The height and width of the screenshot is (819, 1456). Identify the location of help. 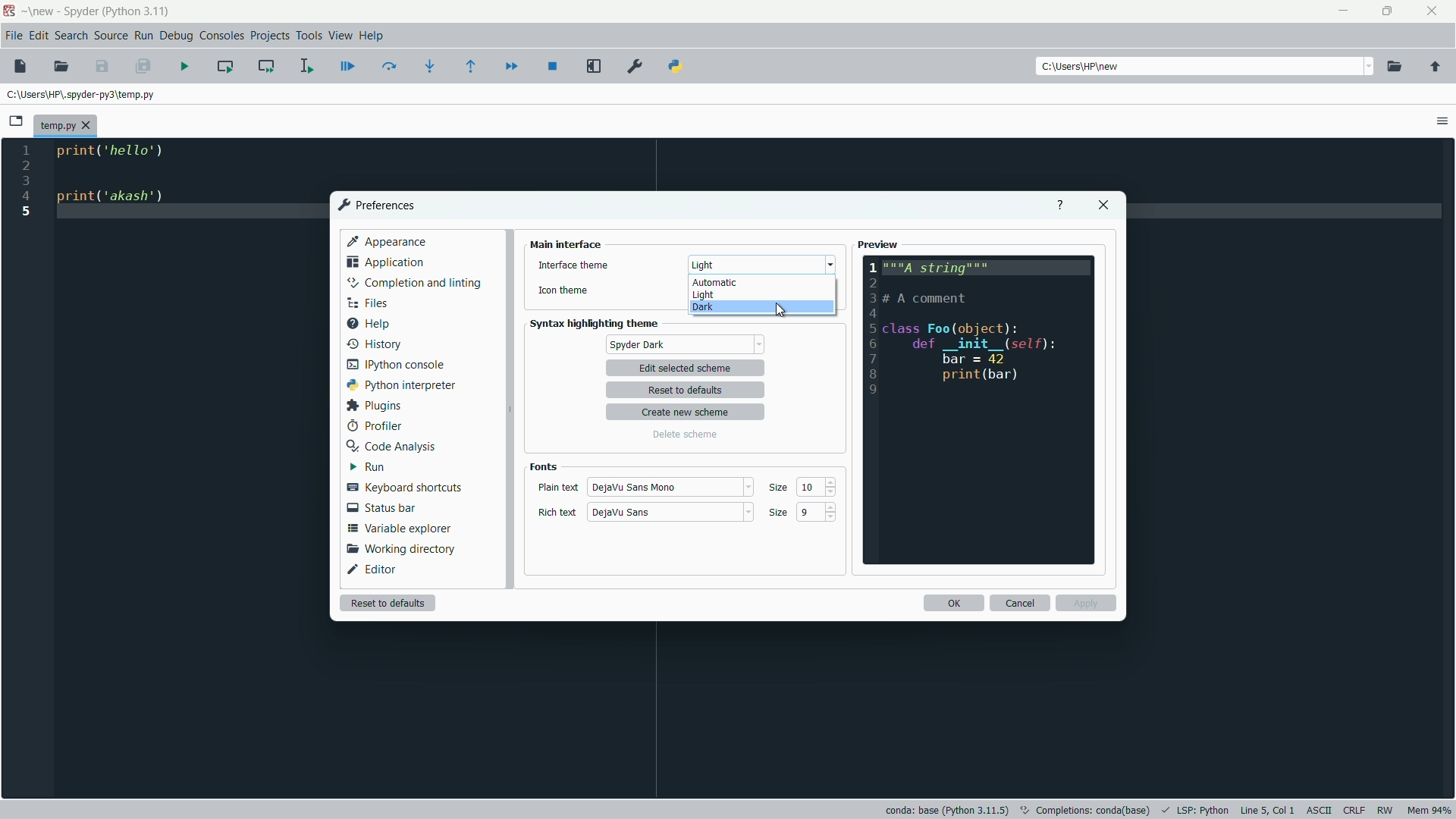
(367, 322).